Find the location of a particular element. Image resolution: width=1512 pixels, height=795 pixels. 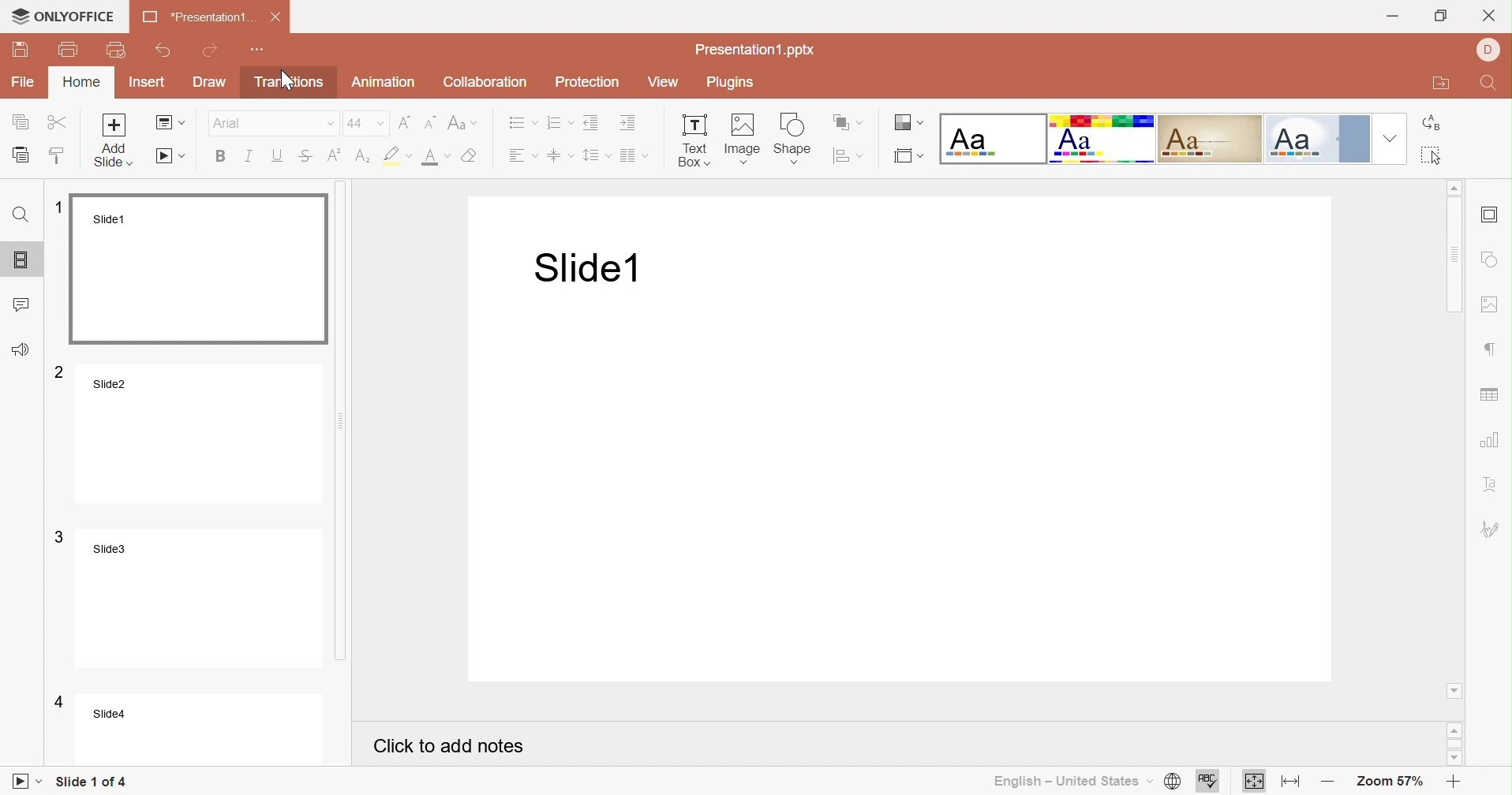

Undo is located at coordinates (162, 51).